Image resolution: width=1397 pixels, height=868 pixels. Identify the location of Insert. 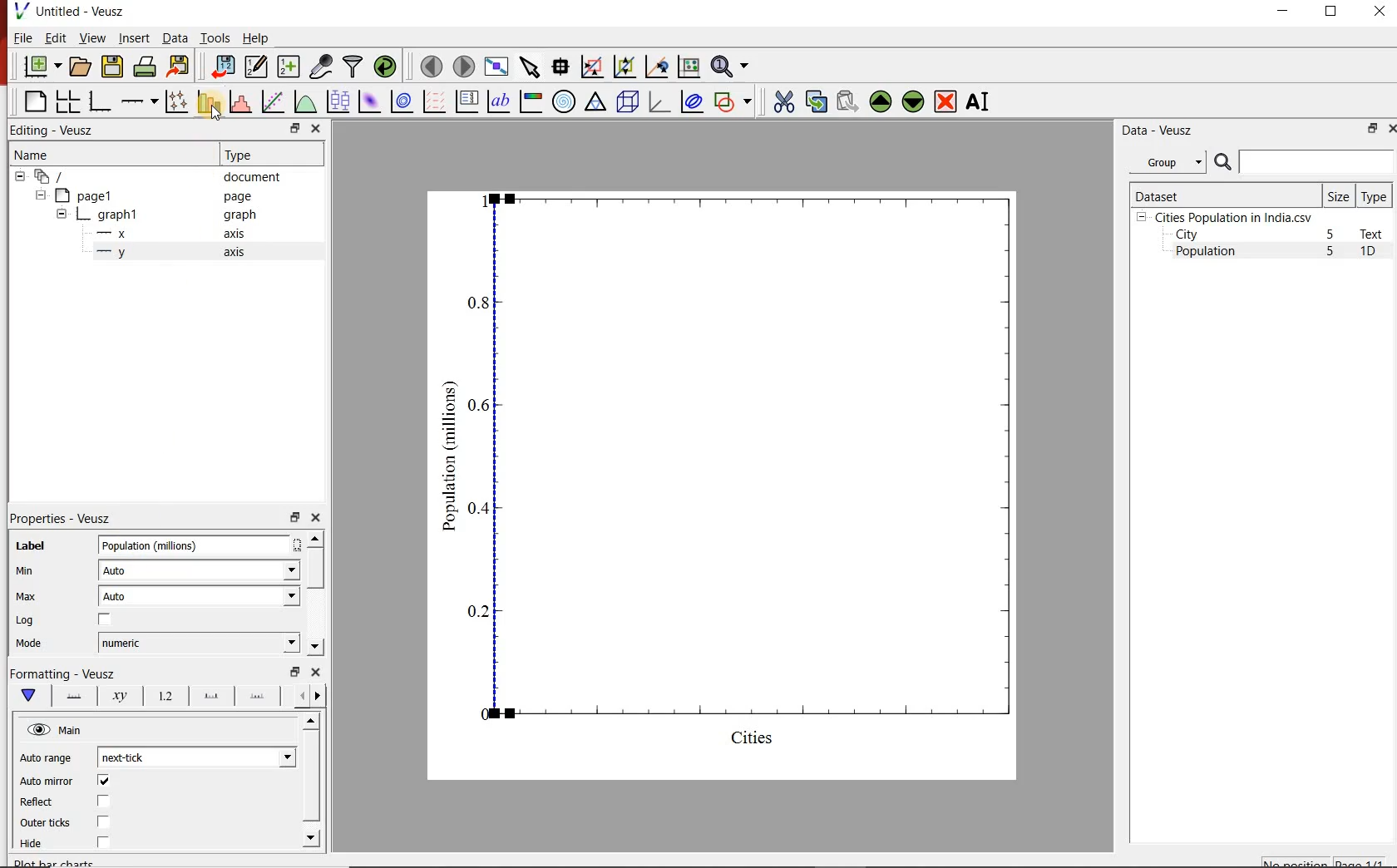
(133, 39).